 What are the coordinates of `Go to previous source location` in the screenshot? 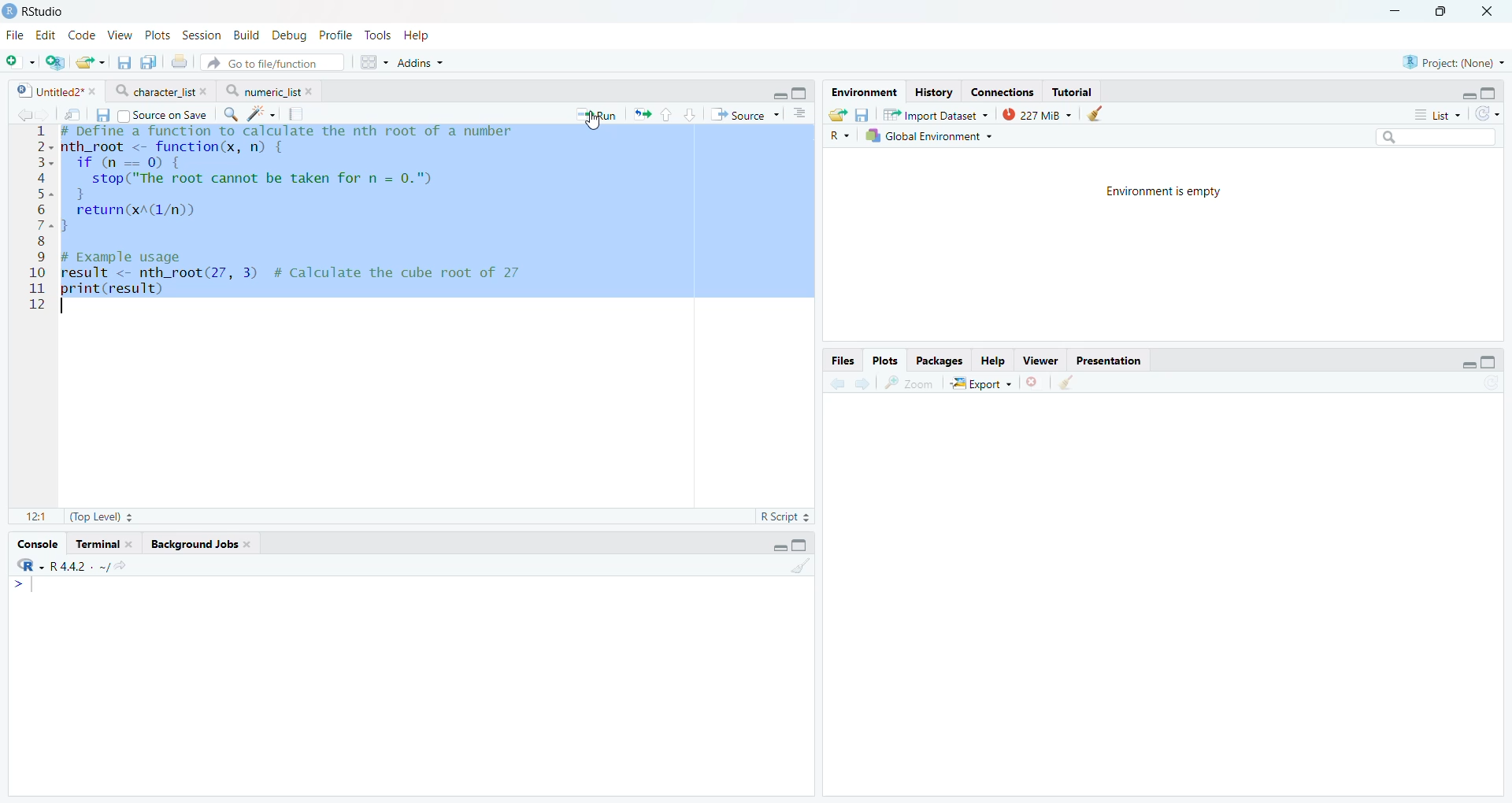 It's located at (23, 115).